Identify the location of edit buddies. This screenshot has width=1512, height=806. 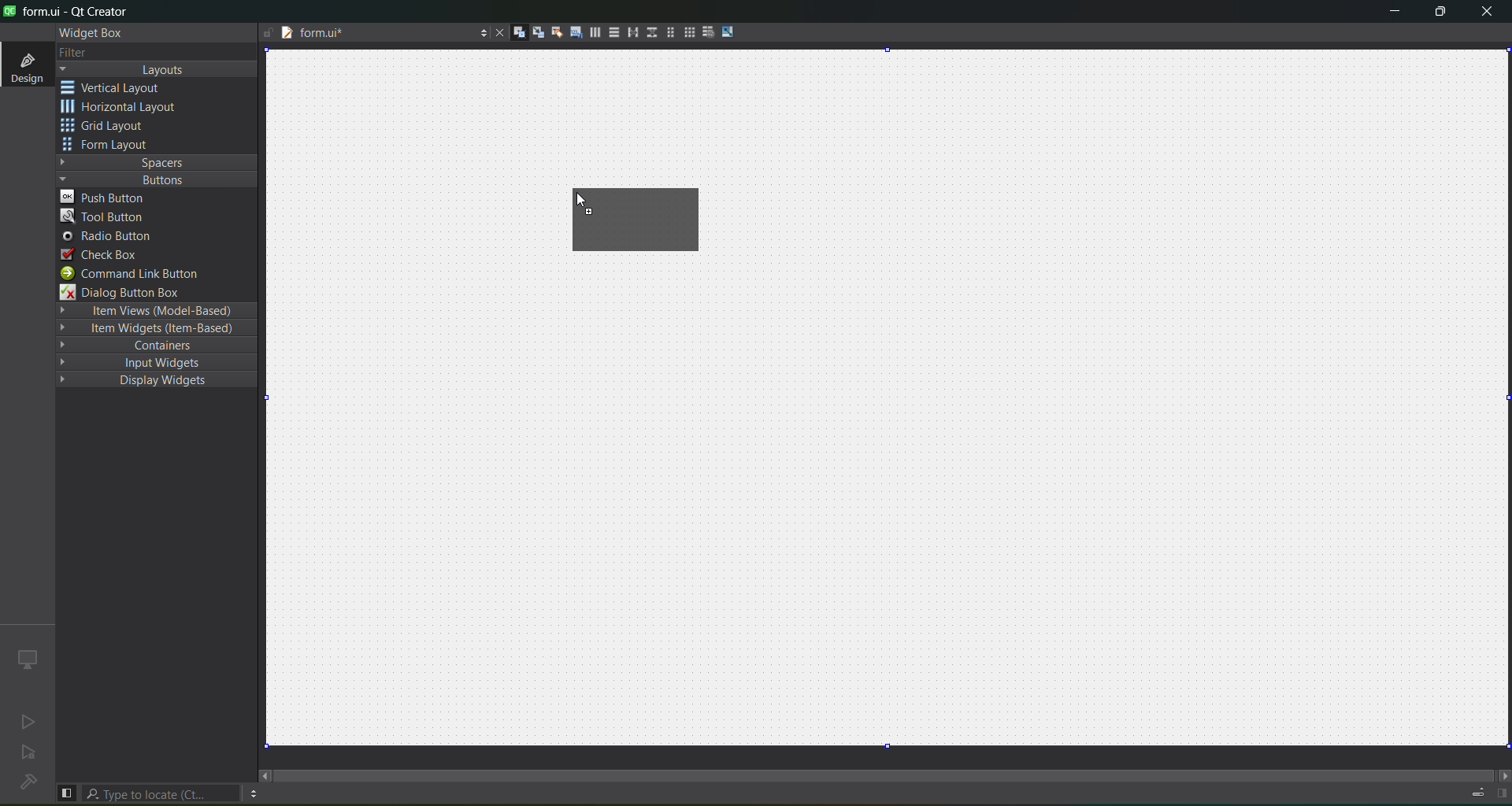
(554, 31).